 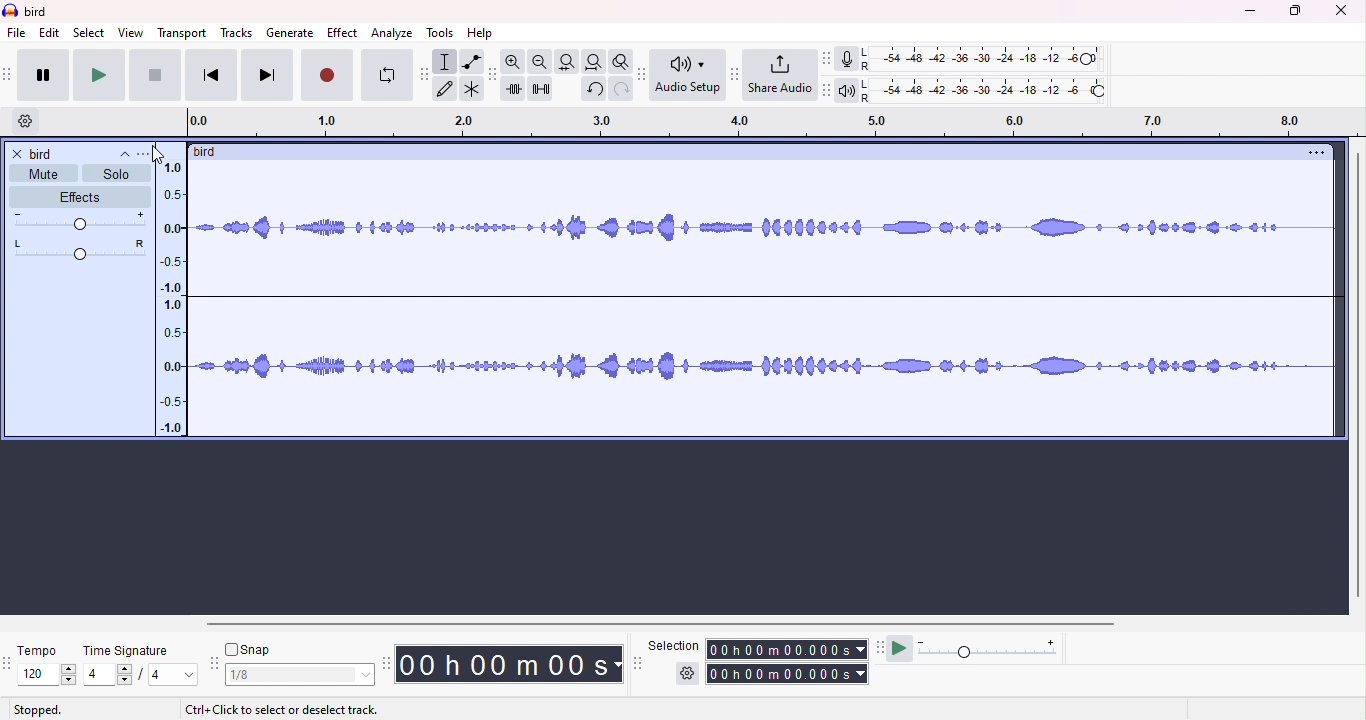 I want to click on undo, so click(x=593, y=89).